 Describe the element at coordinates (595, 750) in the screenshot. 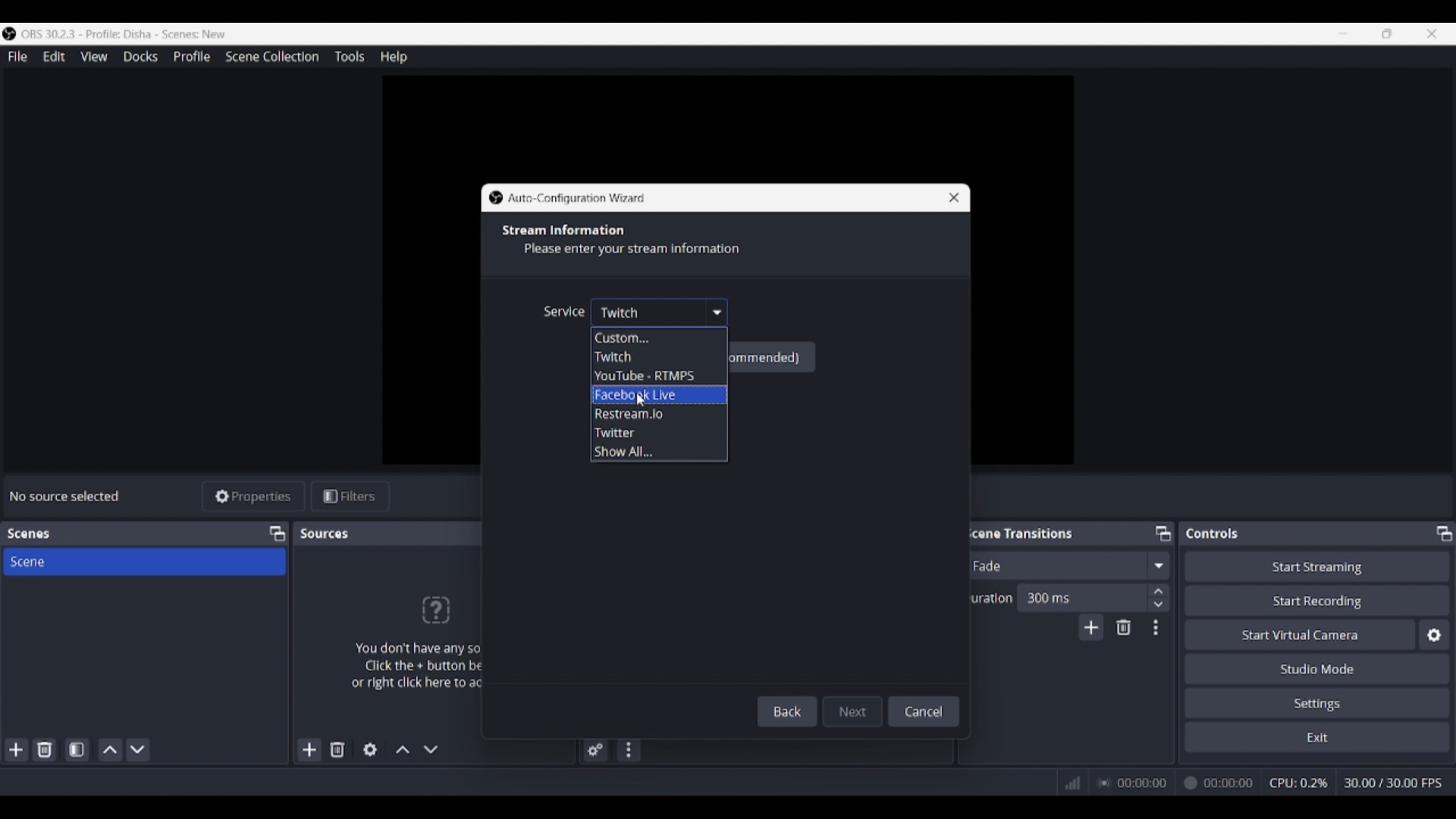

I see `Advanced audio properties` at that location.